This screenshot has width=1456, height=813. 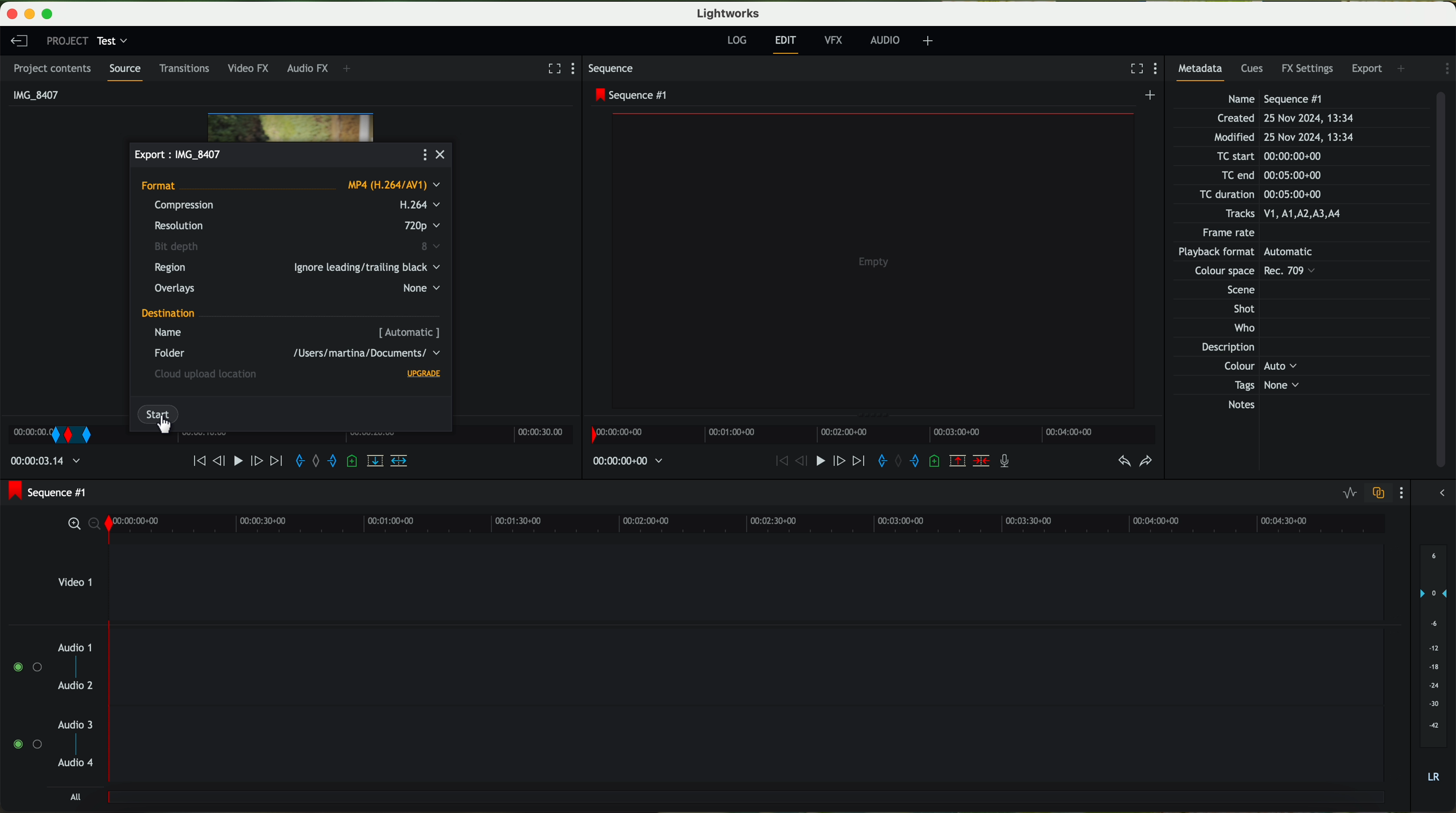 What do you see at coordinates (86, 41) in the screenshot?
I see `project: test` at bounding box center [86, 41].